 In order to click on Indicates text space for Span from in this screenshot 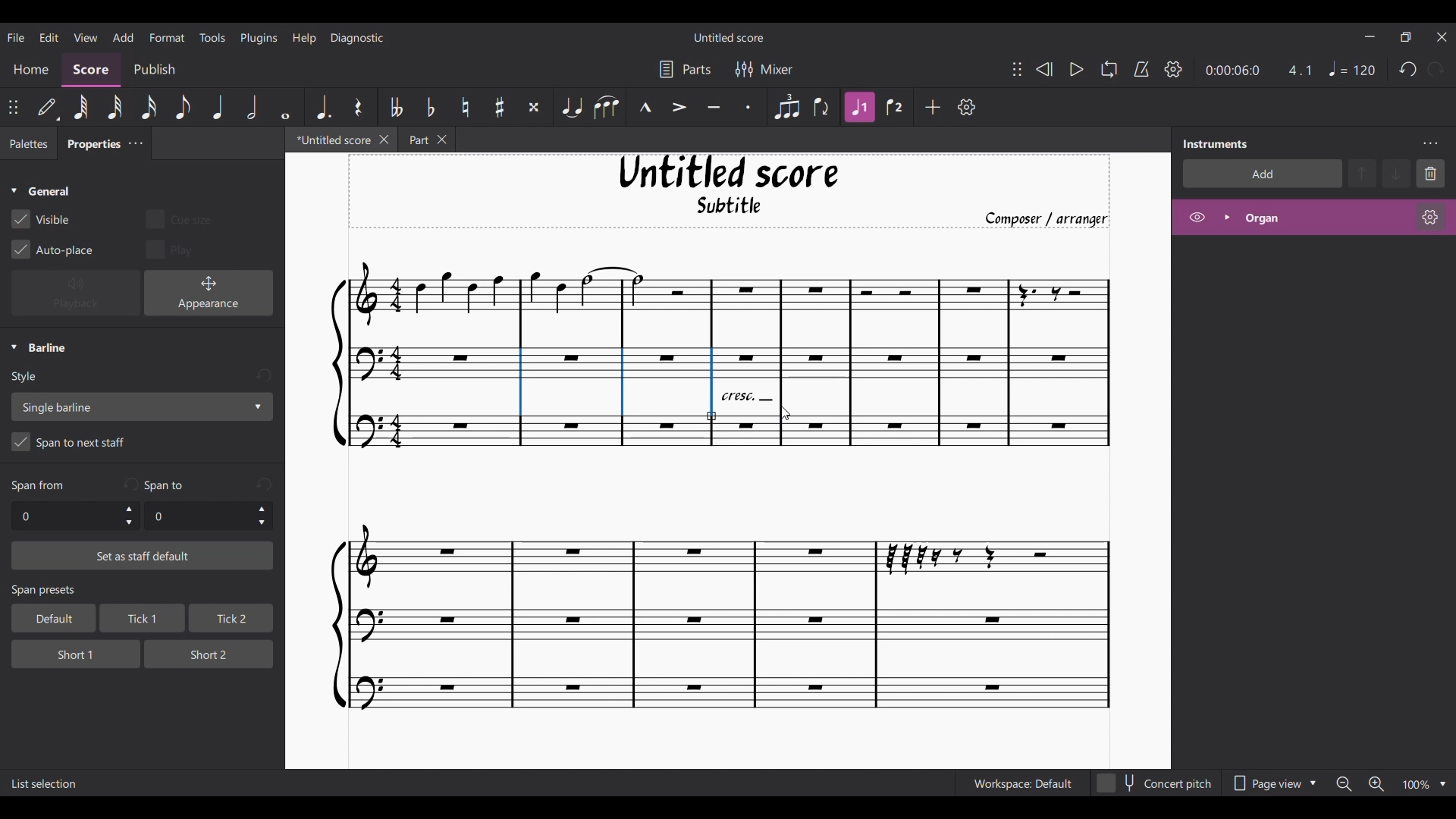, I will do `click(38, 486)`.